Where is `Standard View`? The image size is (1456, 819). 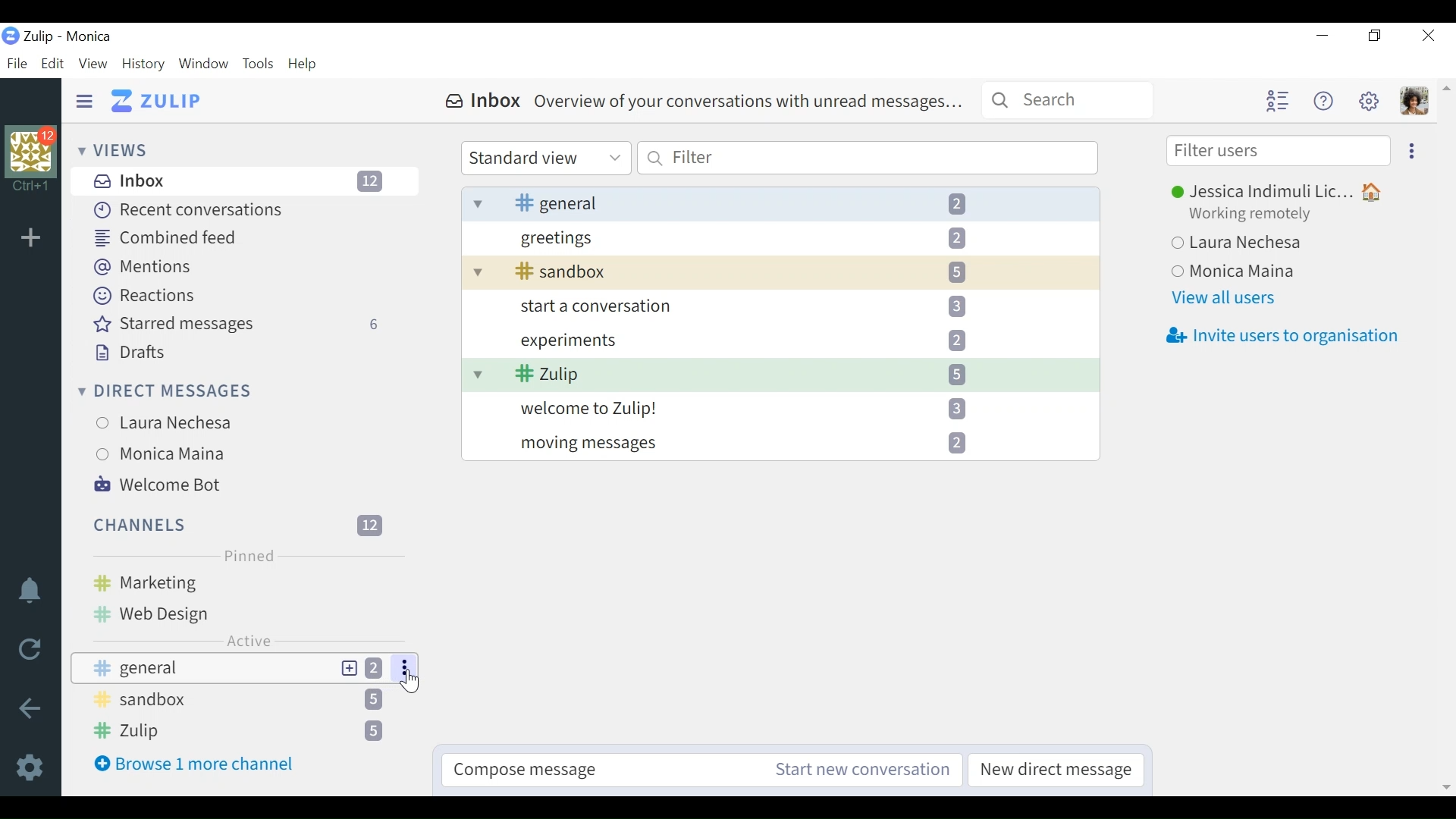 Standard View is located at coordinates (544, 158).